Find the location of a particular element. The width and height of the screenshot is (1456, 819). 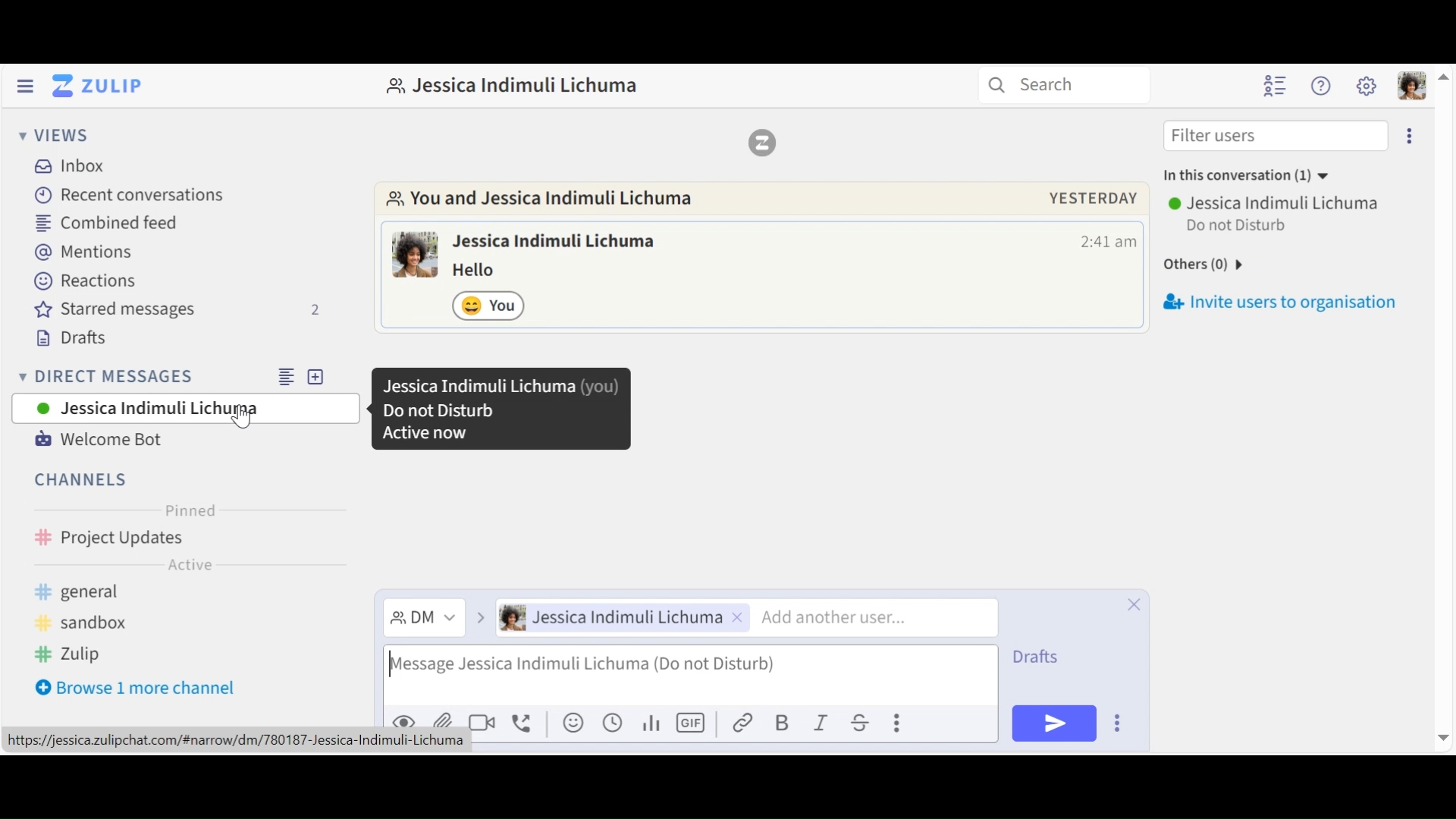

Add Video call is located at coordinates (485, 723).